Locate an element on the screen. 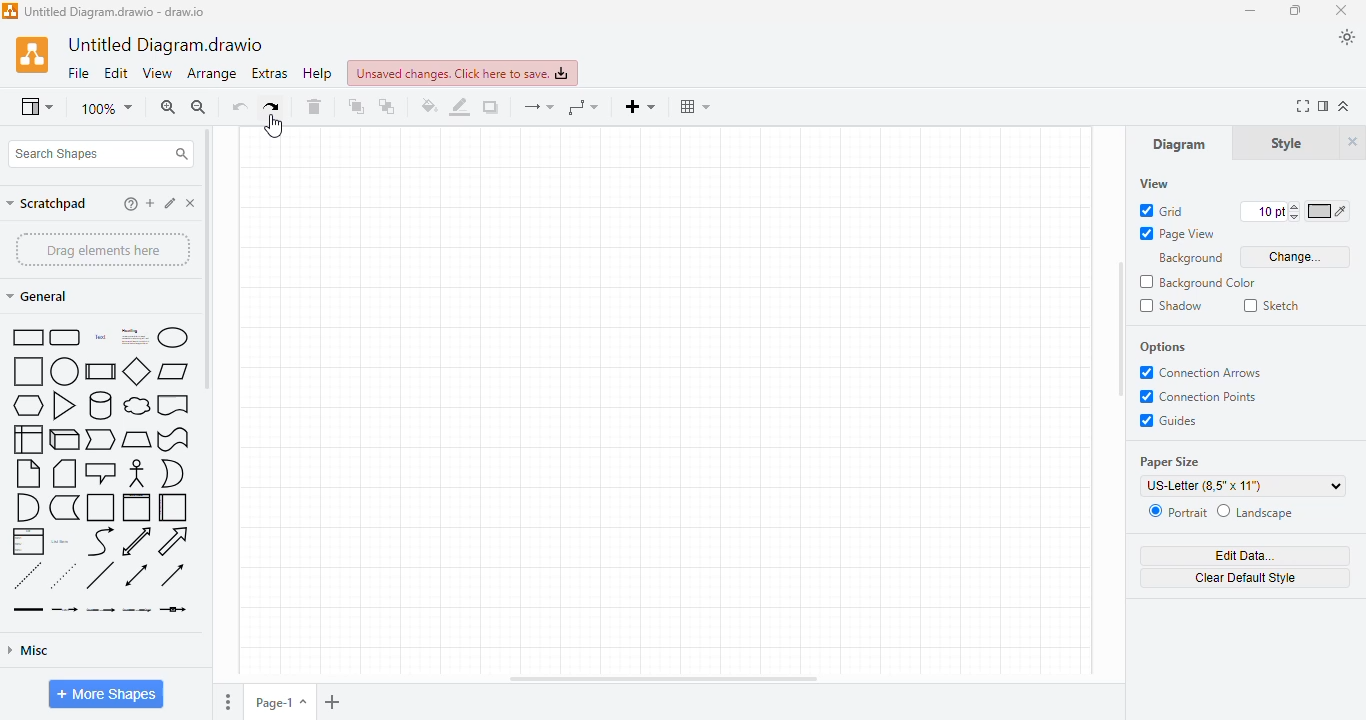  view is located at coordinates (1153, 184).